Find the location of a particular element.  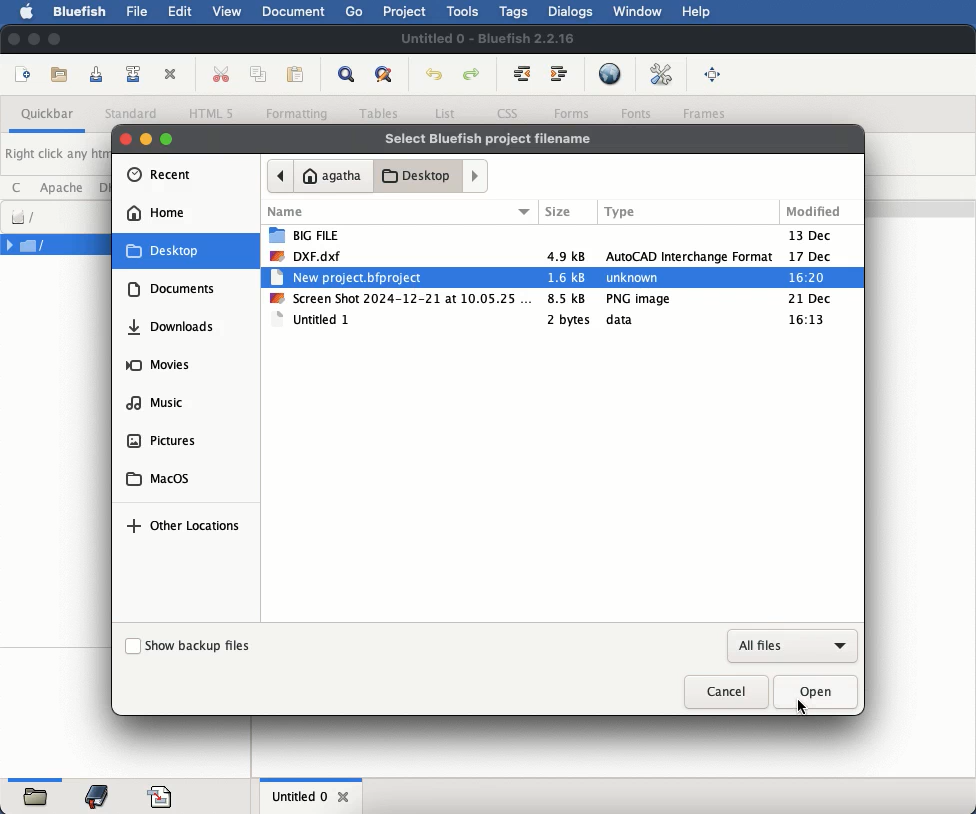

help is located at coordinates (697, 12).